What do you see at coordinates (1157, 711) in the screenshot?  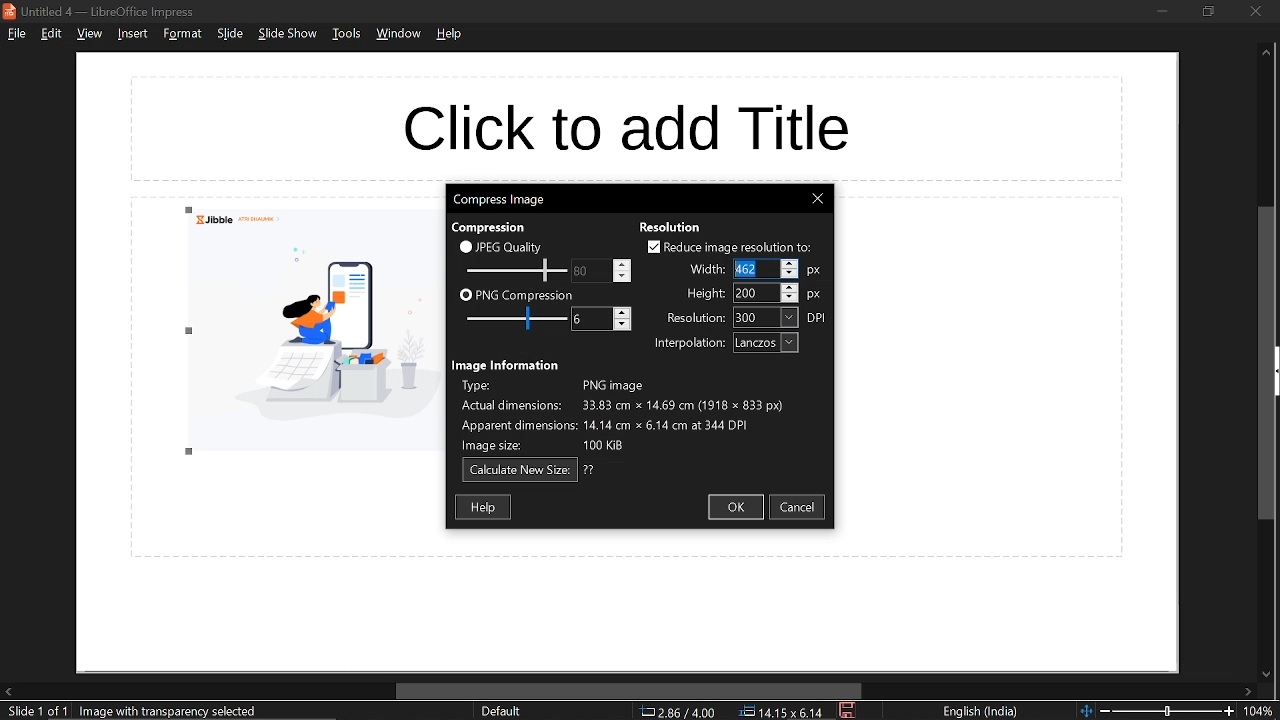 I see `change zoom` at bounding box center [1157, 711].